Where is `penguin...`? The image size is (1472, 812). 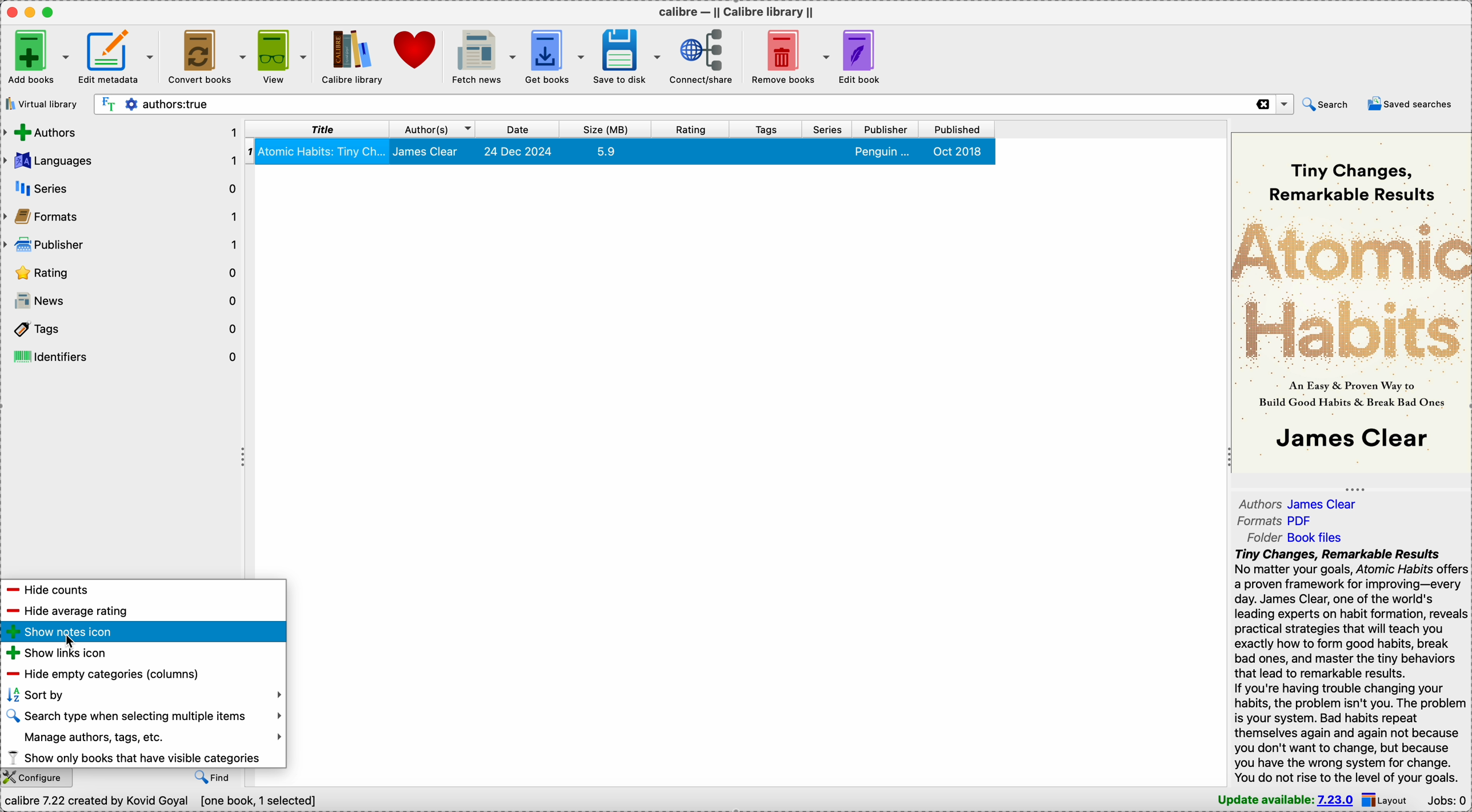 penguin... is located at coordinates (885, 151).